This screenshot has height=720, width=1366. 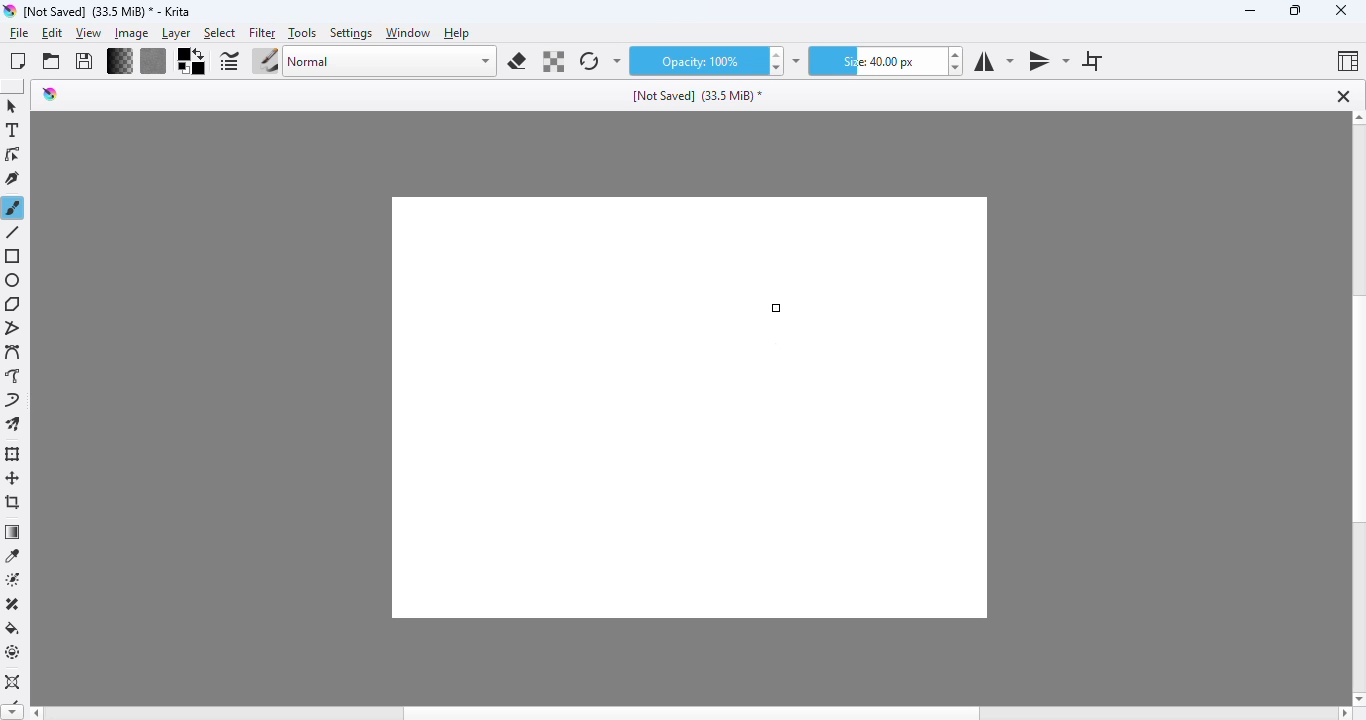 I want to click on choose brush preset, so click(x=266, y=61).